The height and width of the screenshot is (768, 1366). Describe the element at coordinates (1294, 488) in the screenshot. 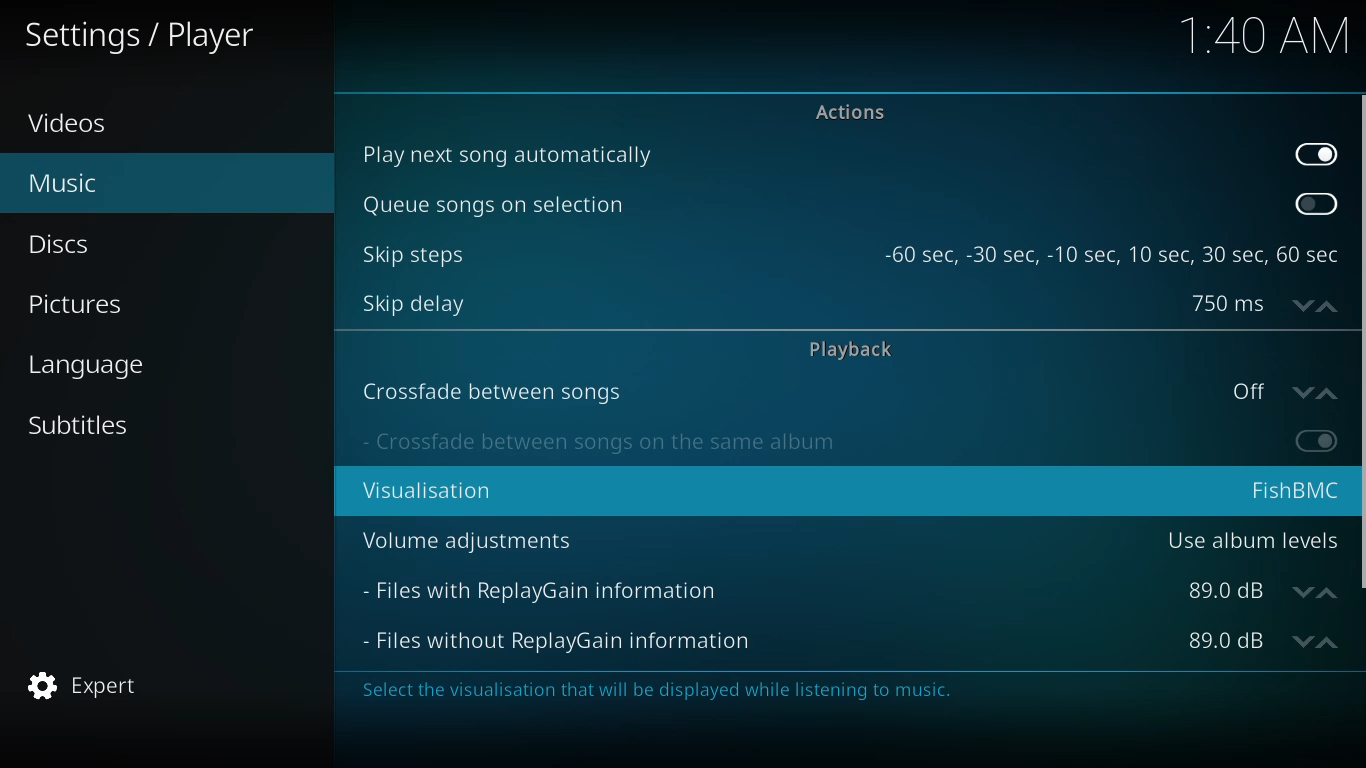

I see `fishbmc ` at that location.